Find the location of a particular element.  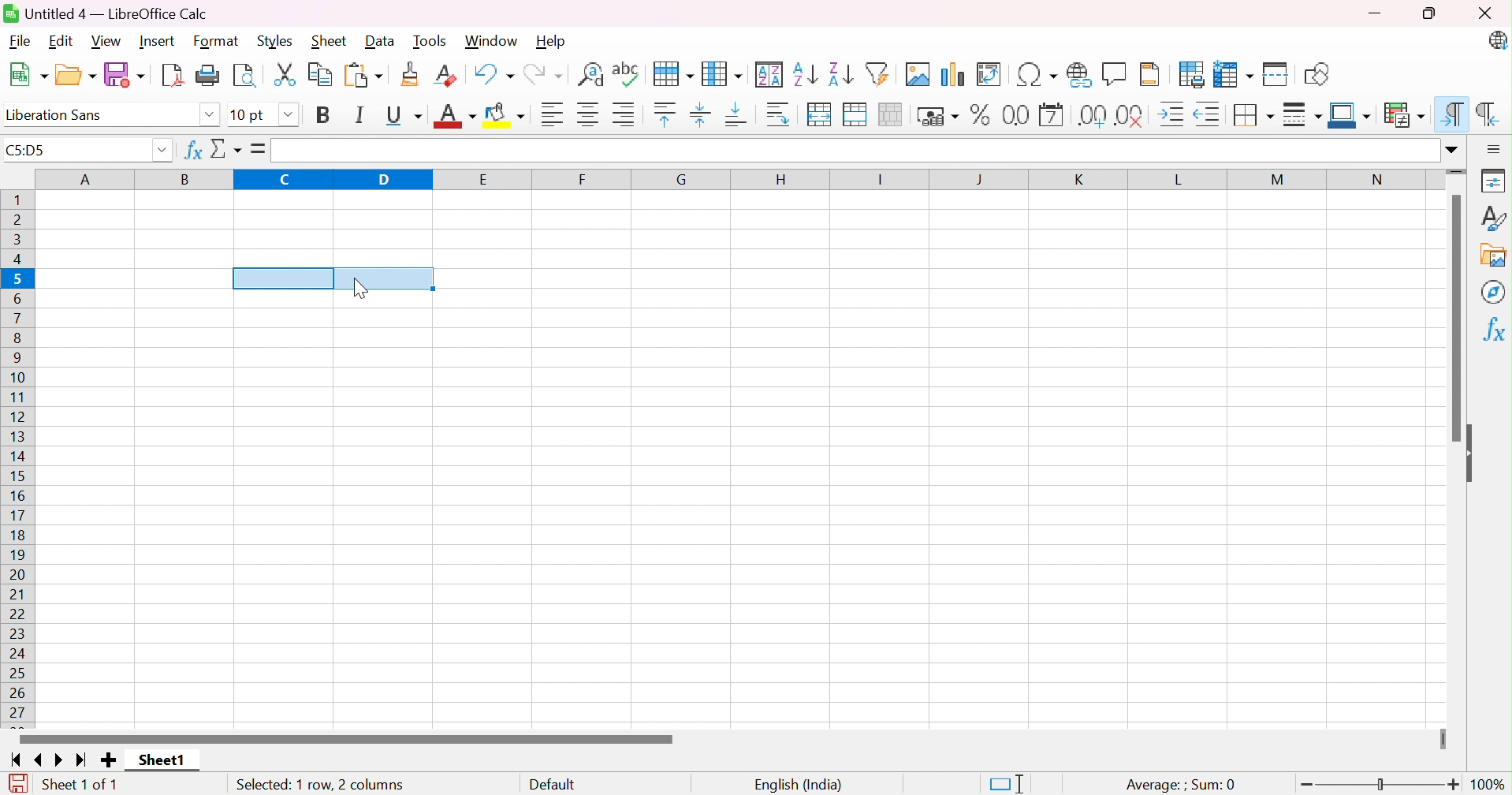

Paste is located at coordinates (365, 74).